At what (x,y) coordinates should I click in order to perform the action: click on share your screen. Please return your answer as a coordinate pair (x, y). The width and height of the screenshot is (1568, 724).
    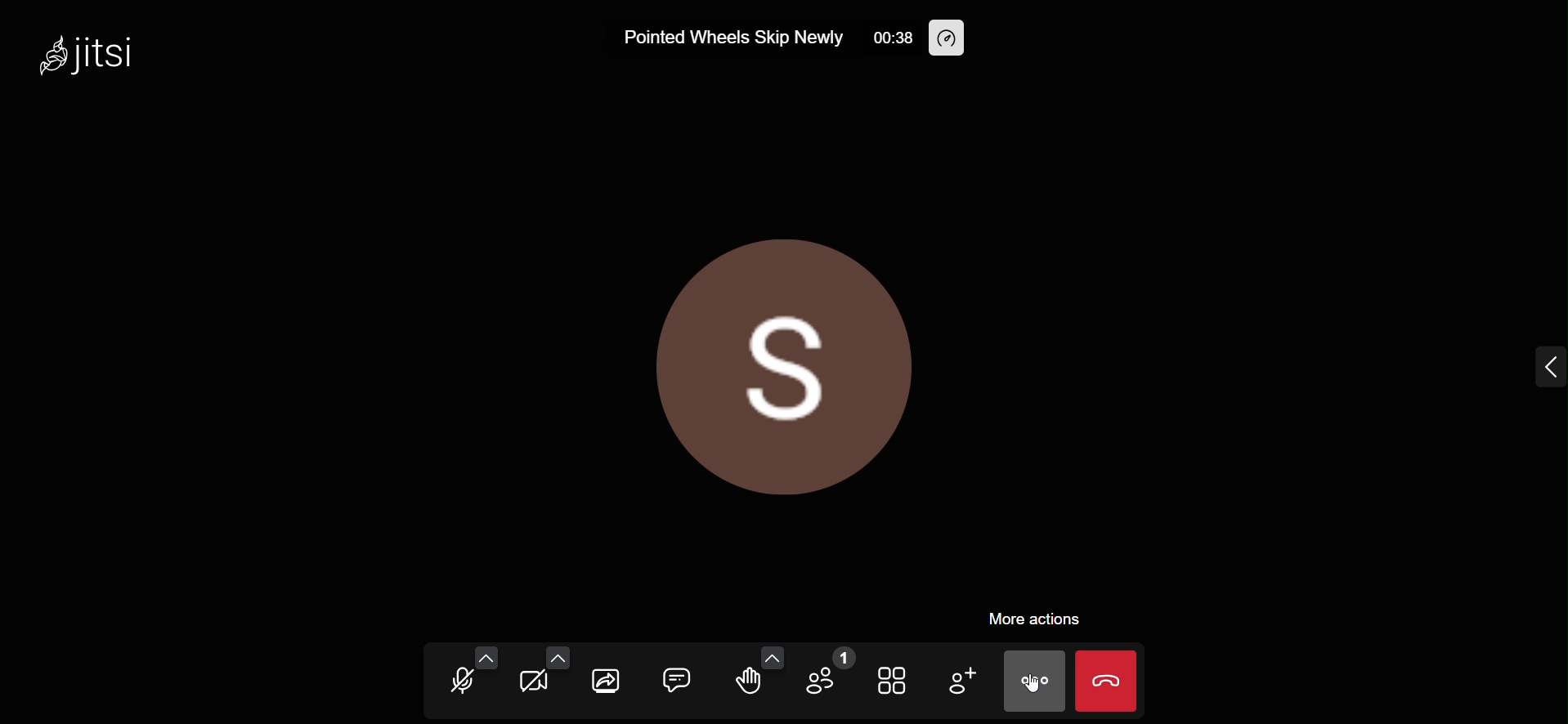
    Looking at the image, I should click on (608, 678).